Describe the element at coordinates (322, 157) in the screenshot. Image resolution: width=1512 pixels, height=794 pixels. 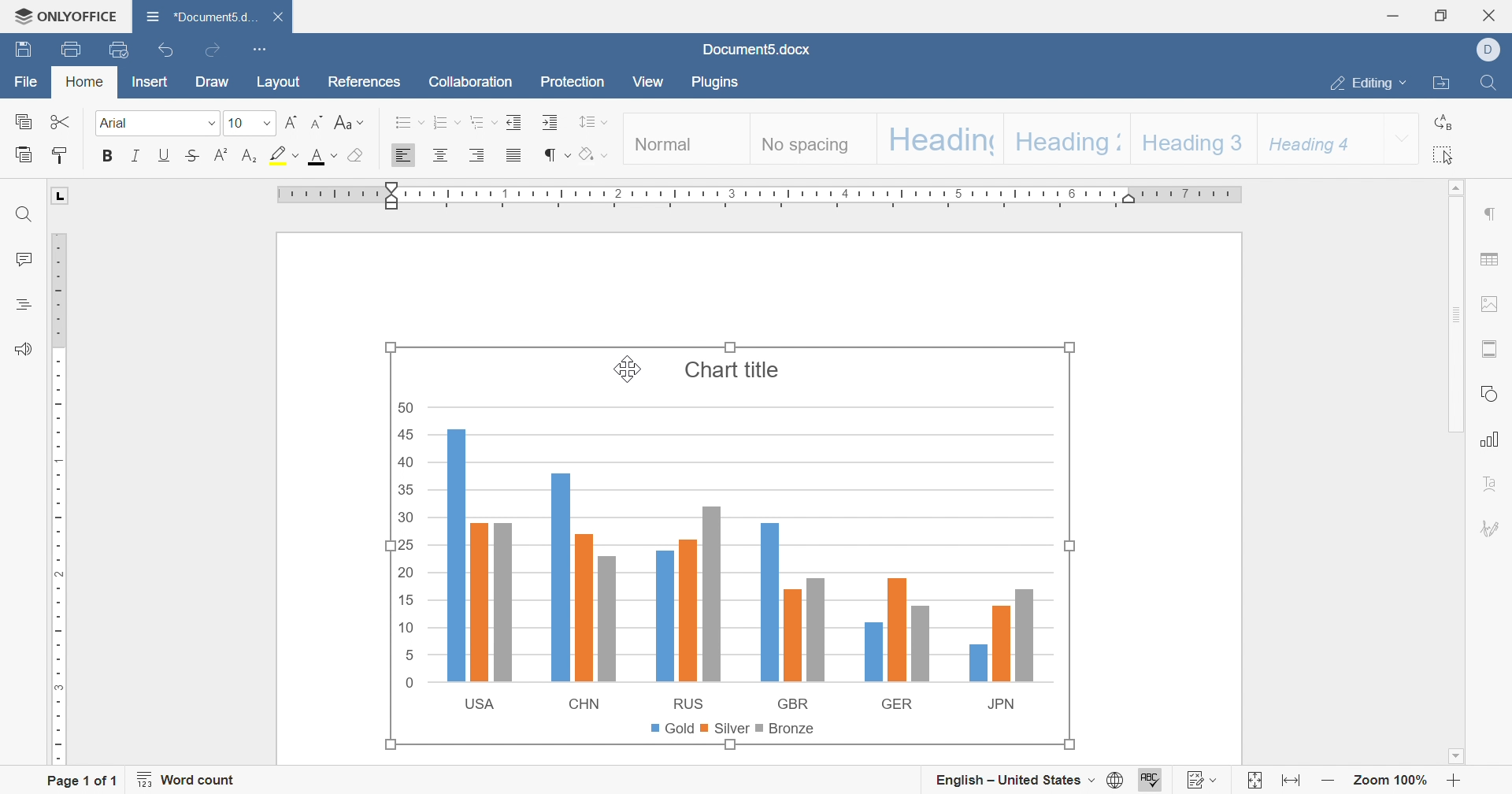
I see `font color` at that location.